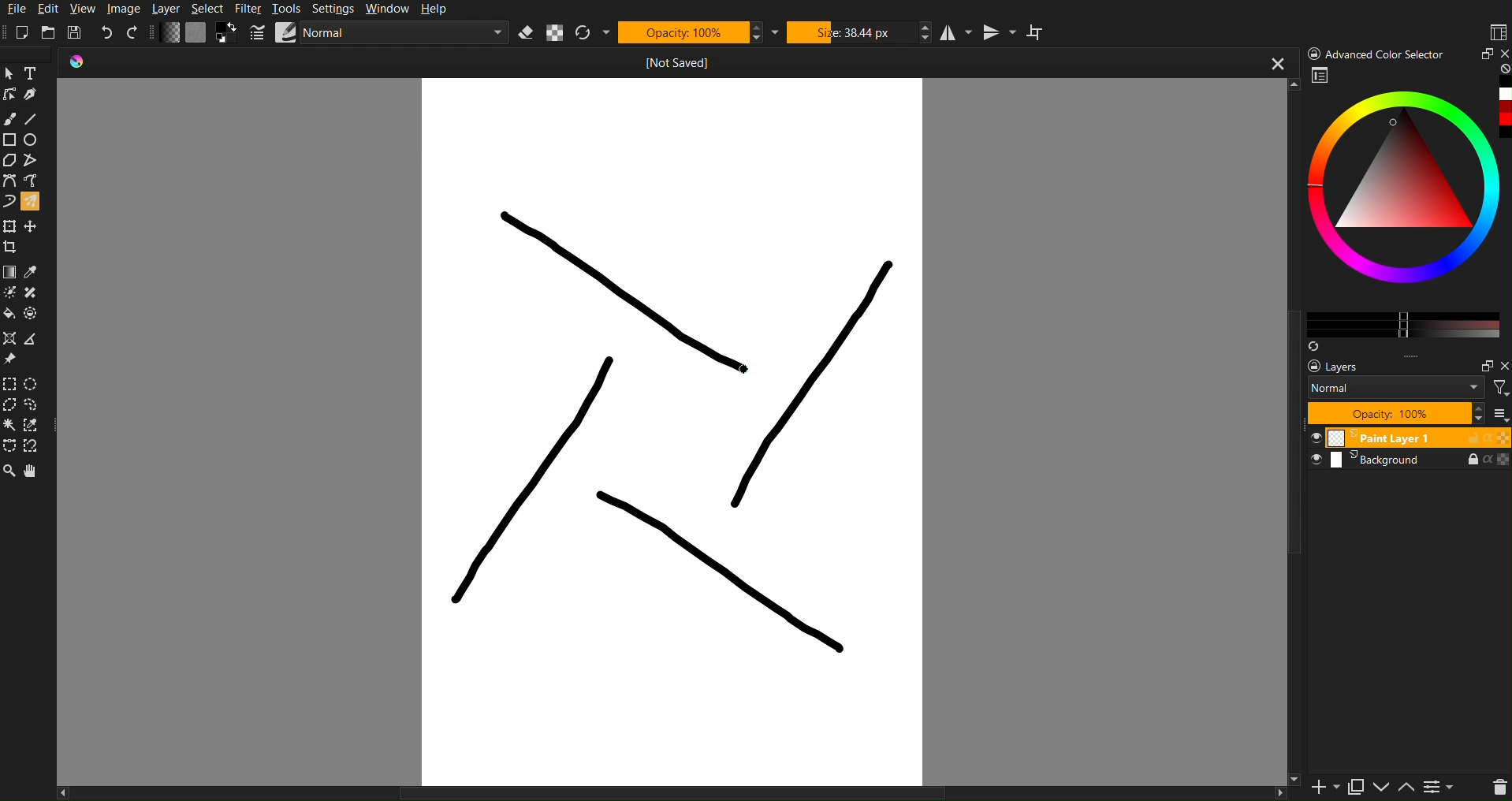  I want to click on Rectangle, so click(10, 140).